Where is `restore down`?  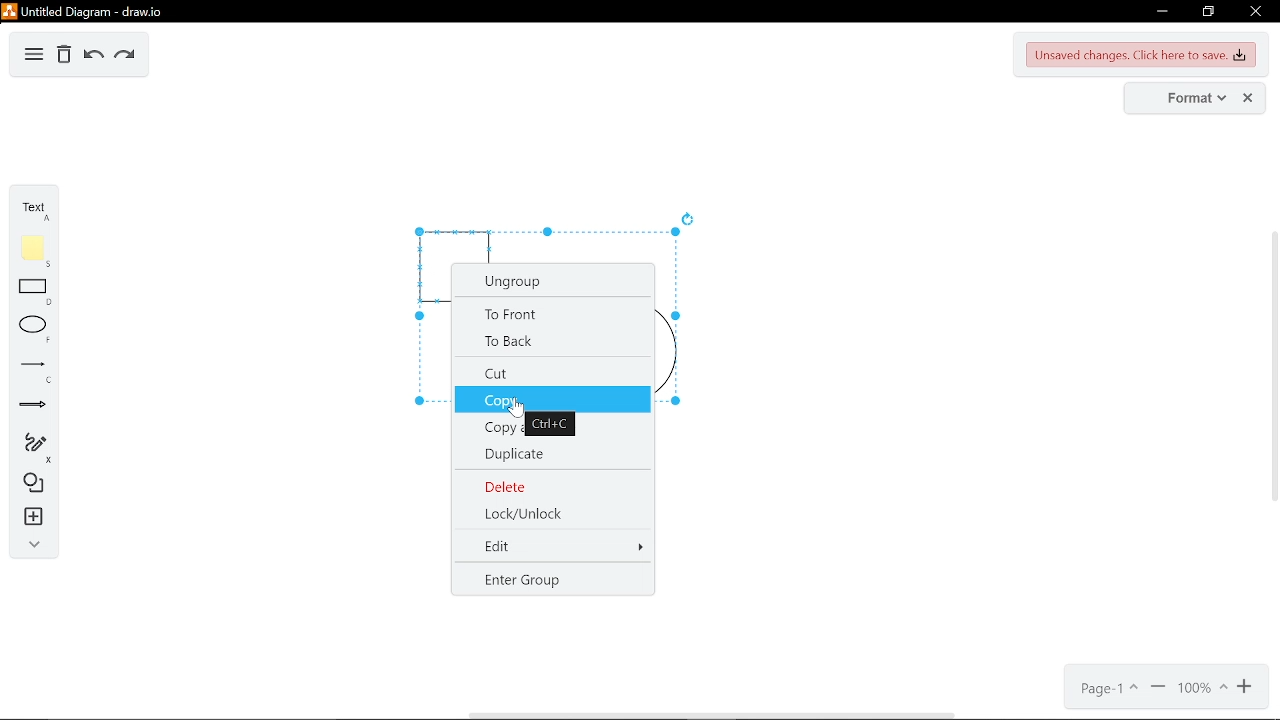
restore down is located at coordinates (1210, 12).